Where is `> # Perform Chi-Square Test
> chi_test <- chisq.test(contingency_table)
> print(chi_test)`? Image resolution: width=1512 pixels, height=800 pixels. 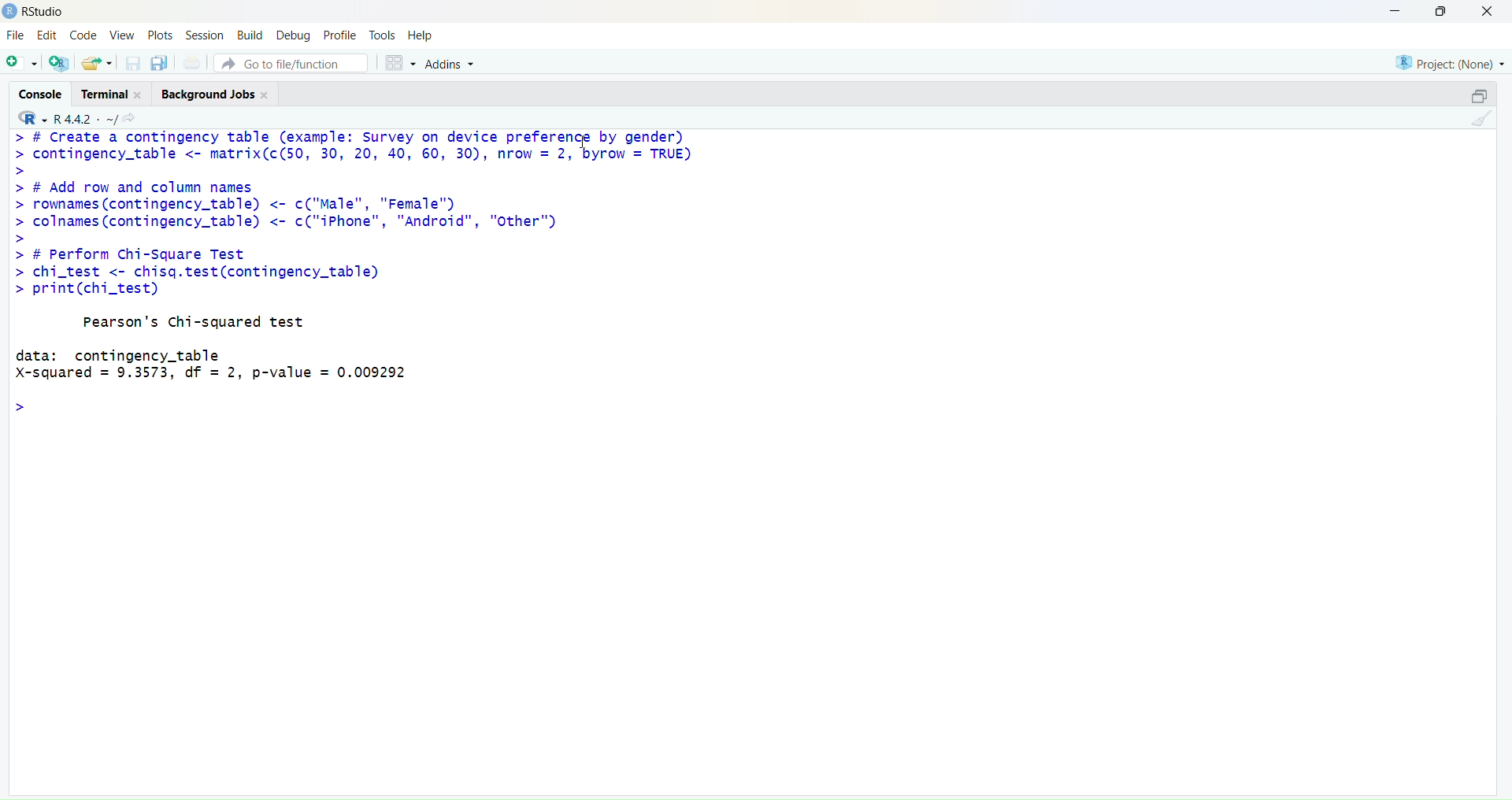
> # Perform Chi-Square Test
> chi_test <- chisq.test(contingency_table)
> print(chi_test) is located at coordinates (198, 273).